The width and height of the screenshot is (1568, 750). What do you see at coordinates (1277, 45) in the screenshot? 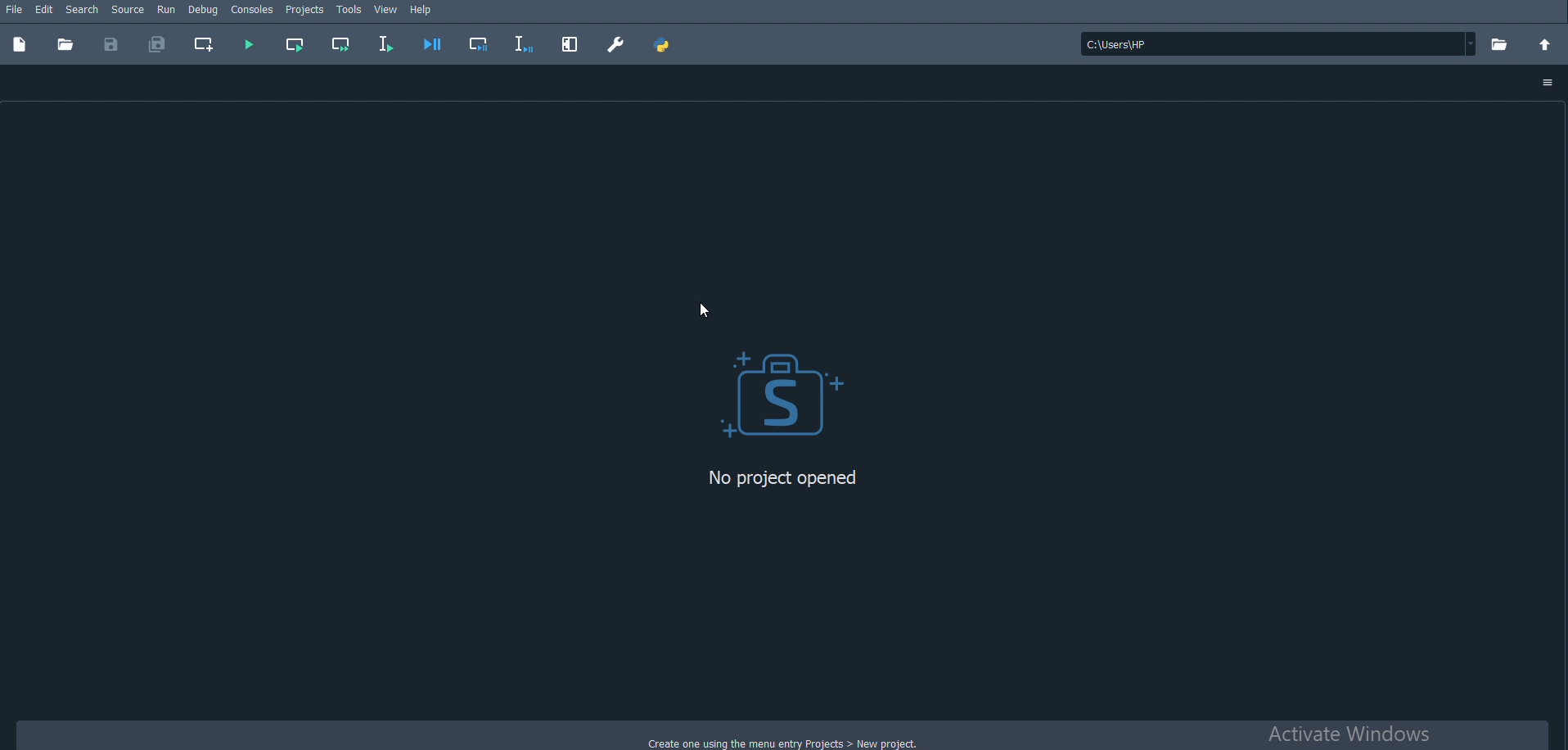
I see `File location` at bounding box center [1277, 45].